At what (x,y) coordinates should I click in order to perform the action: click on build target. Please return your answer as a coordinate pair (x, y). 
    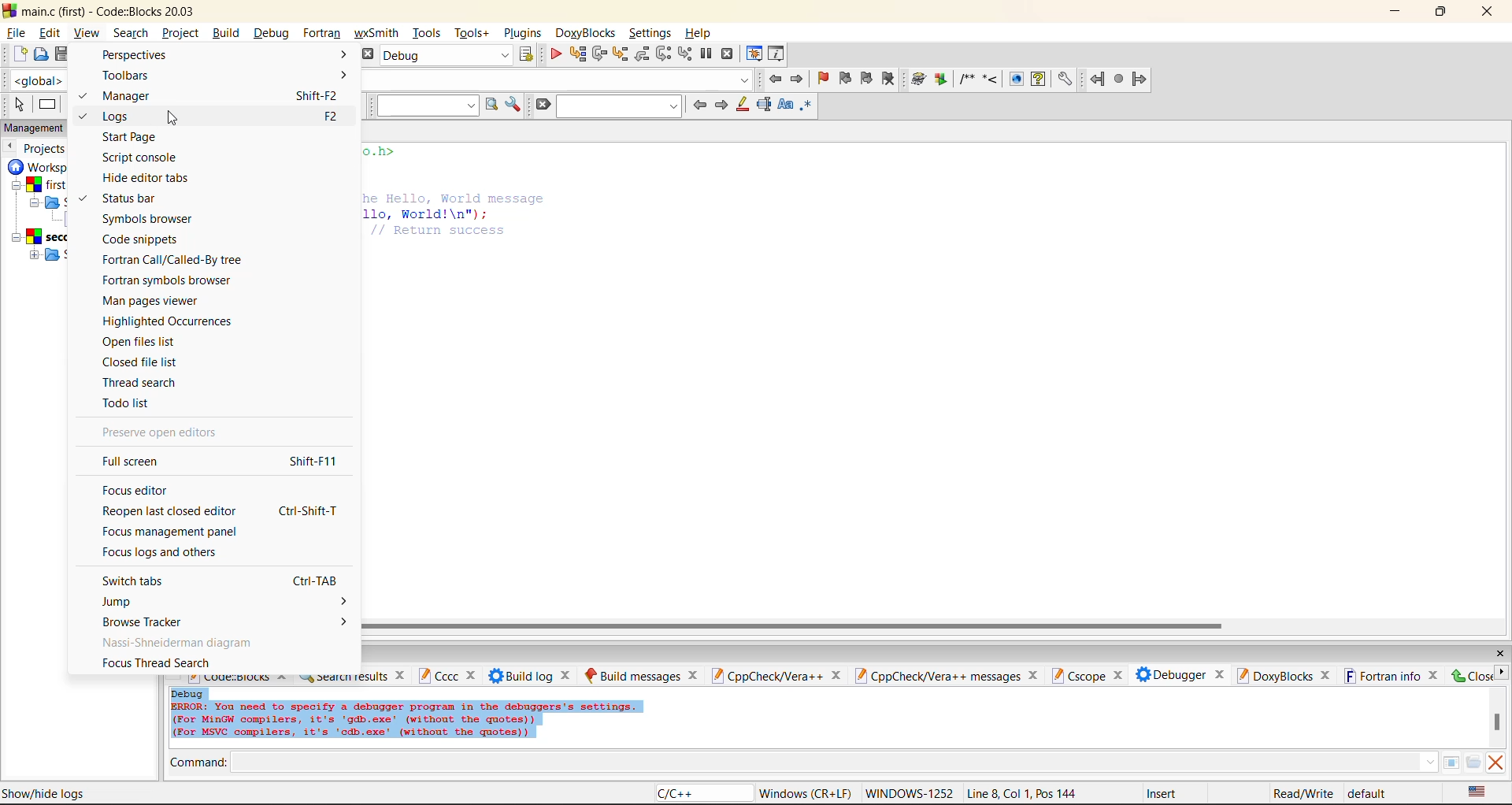
    Looking at the image, I should click on (448, 57).